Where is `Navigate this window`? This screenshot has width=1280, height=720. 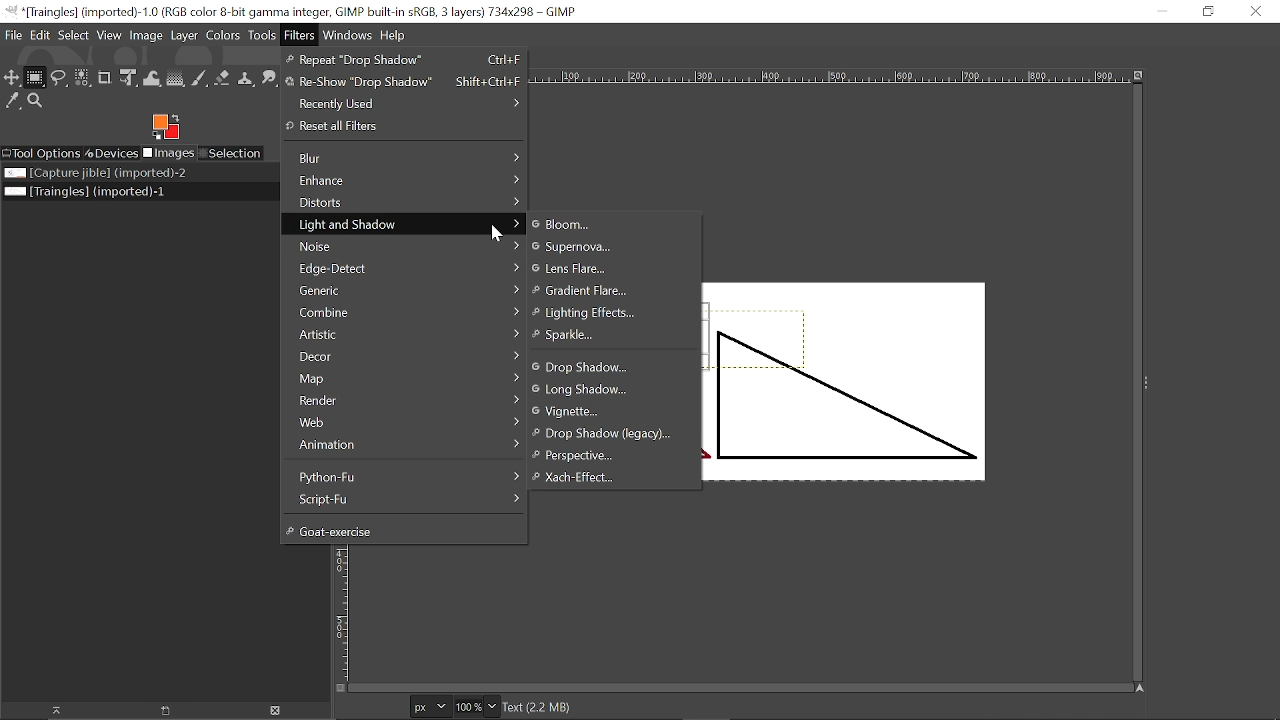 Navigate this window is located at coordinates (1138, 689).